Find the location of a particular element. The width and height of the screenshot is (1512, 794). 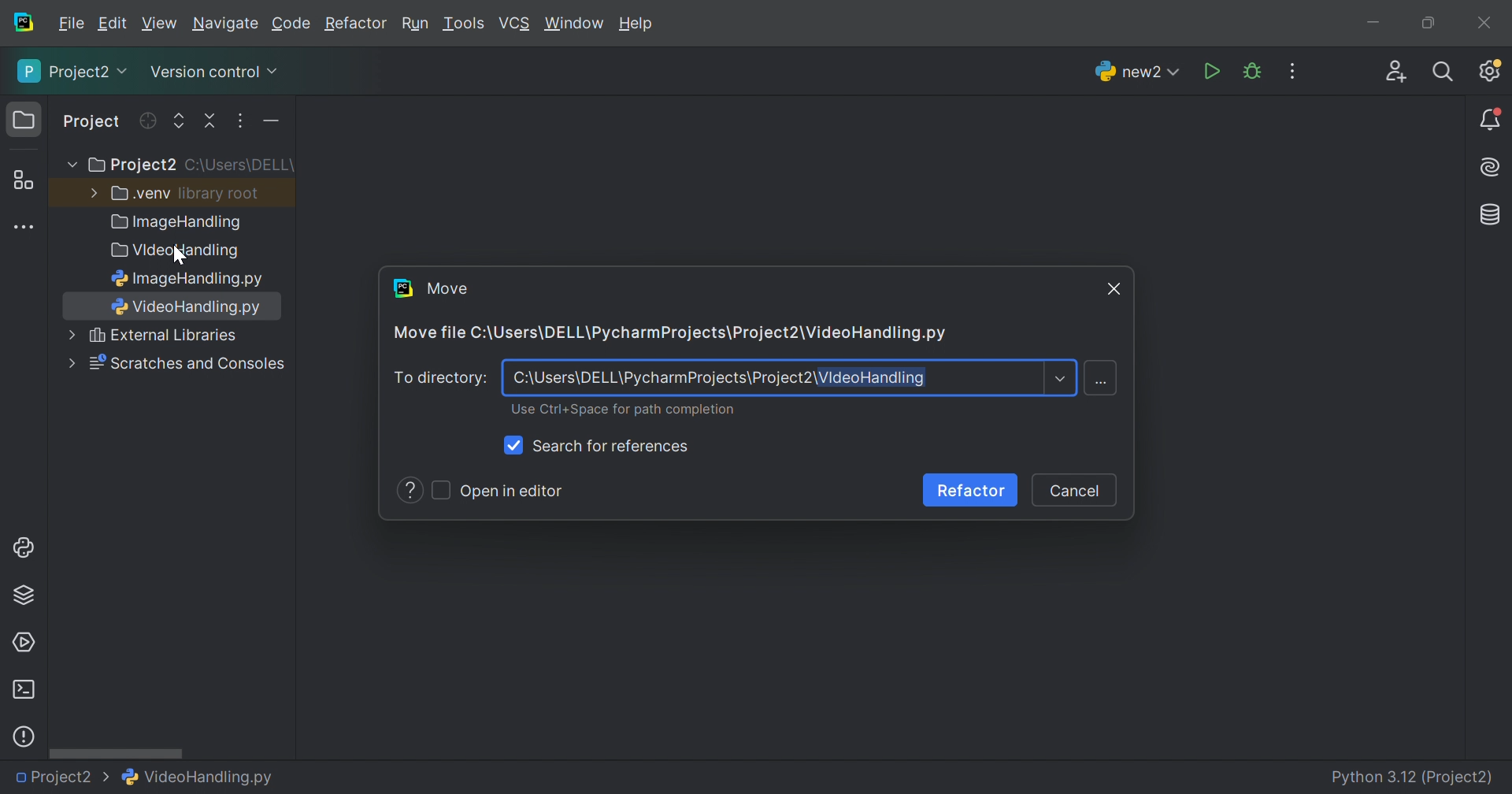

Refactor is located at coordinates (354, 25).